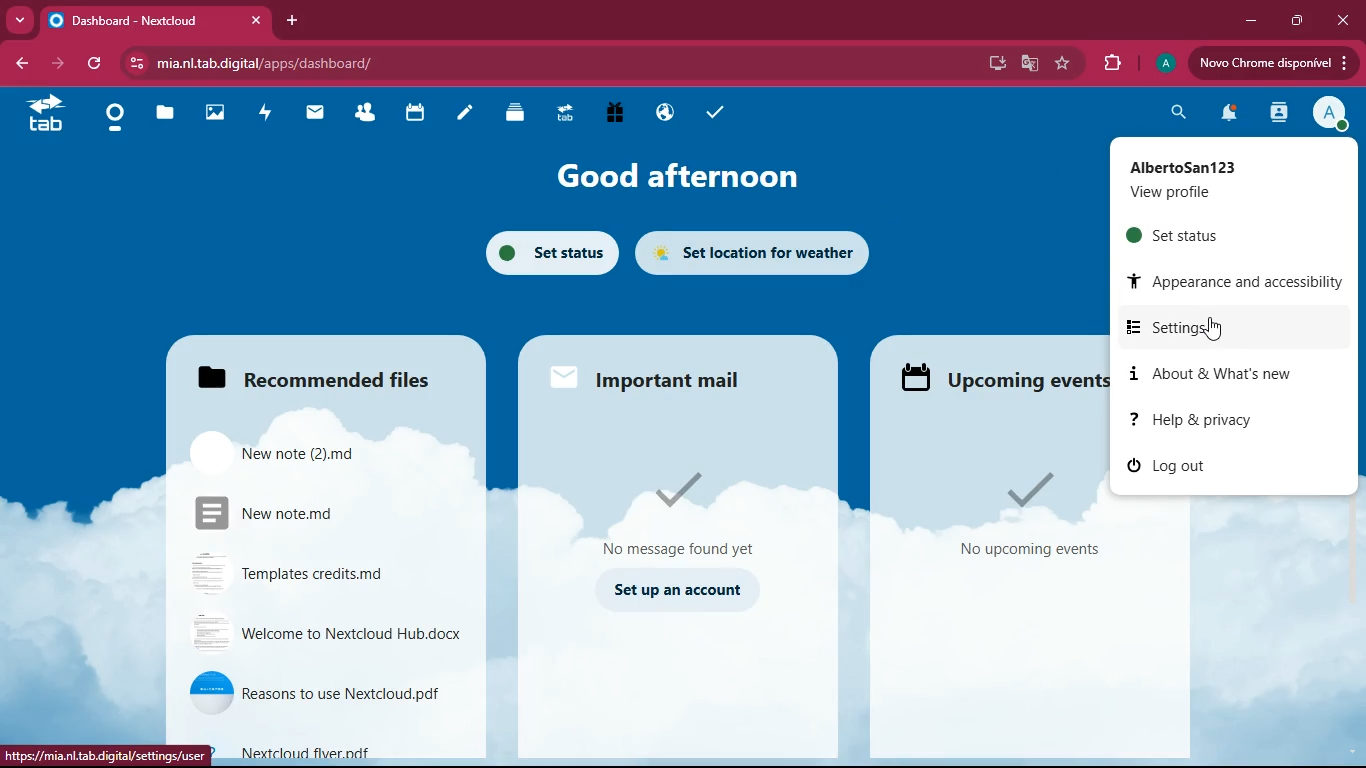  I want to click on activity, so click(1279, 115).